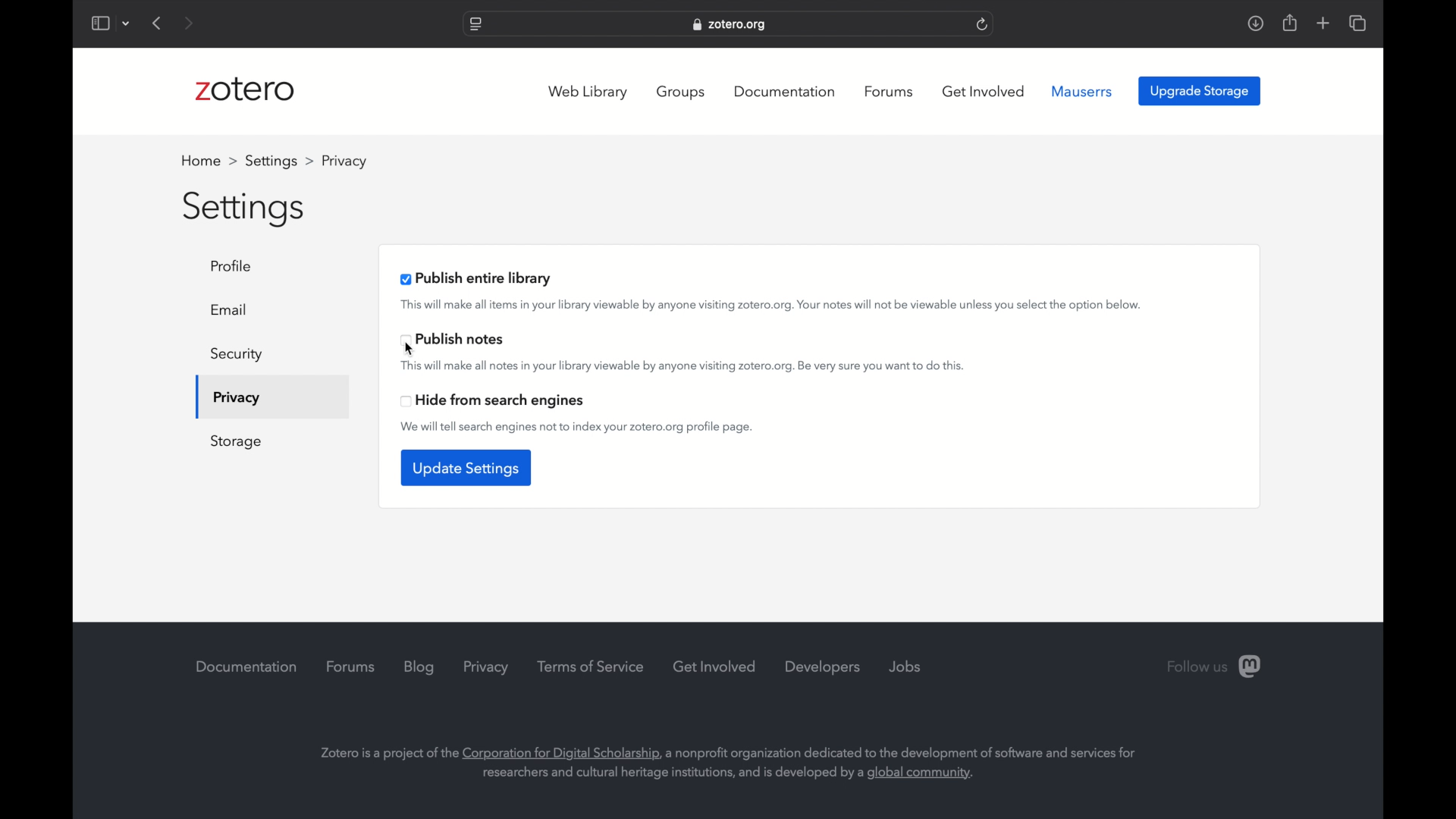  What do you see at coordinates (128, 23) in the screenshot?
I see `dropdown` at bounding box center [128, 23].